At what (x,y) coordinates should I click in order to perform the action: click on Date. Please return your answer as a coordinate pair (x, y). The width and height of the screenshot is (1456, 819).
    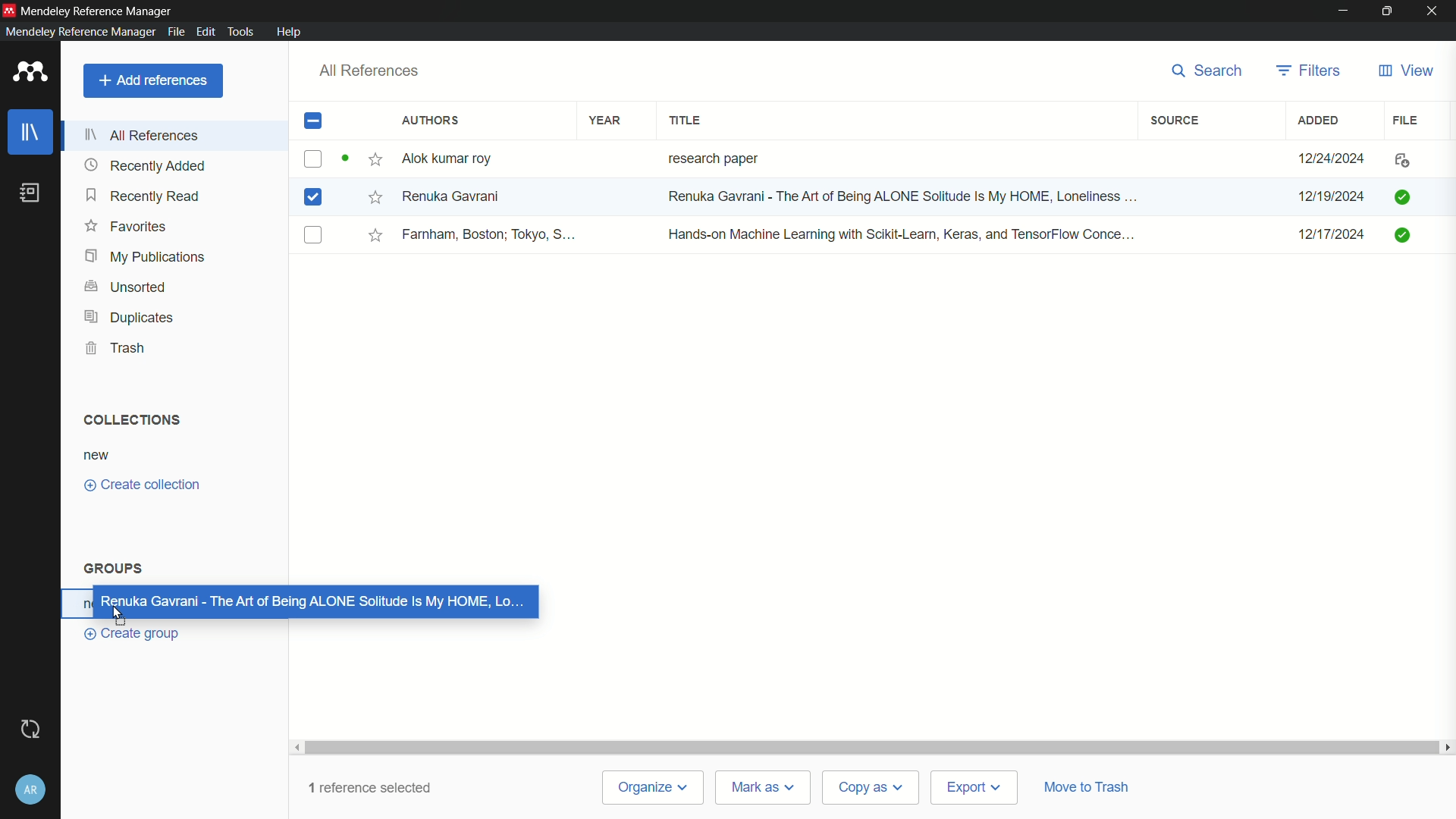
    Looking at the image, I should click on (1334, 240).